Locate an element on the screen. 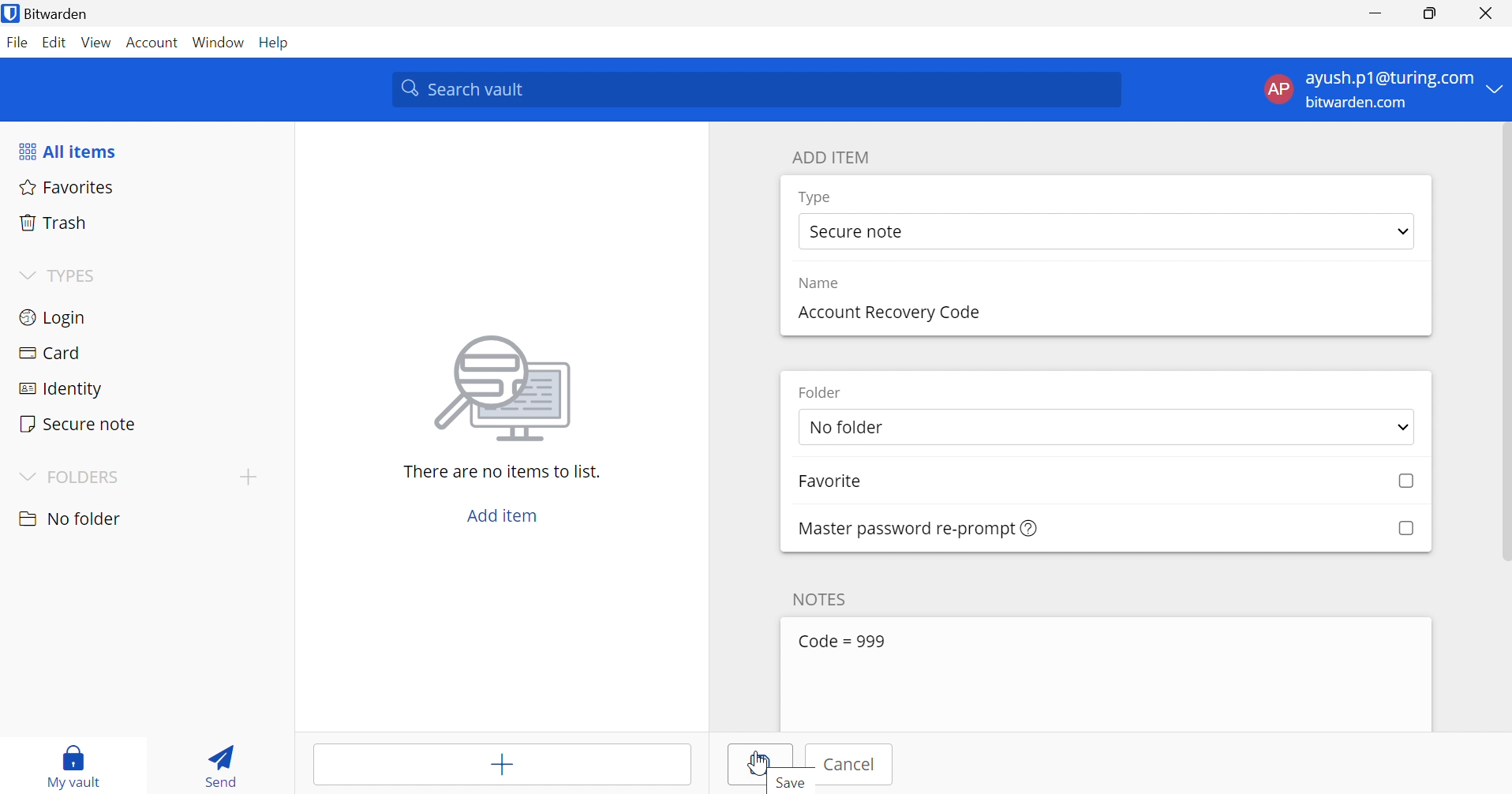 The height and width of the screenshot is (794, 1512). Identity is located at coordinates (59, 389).